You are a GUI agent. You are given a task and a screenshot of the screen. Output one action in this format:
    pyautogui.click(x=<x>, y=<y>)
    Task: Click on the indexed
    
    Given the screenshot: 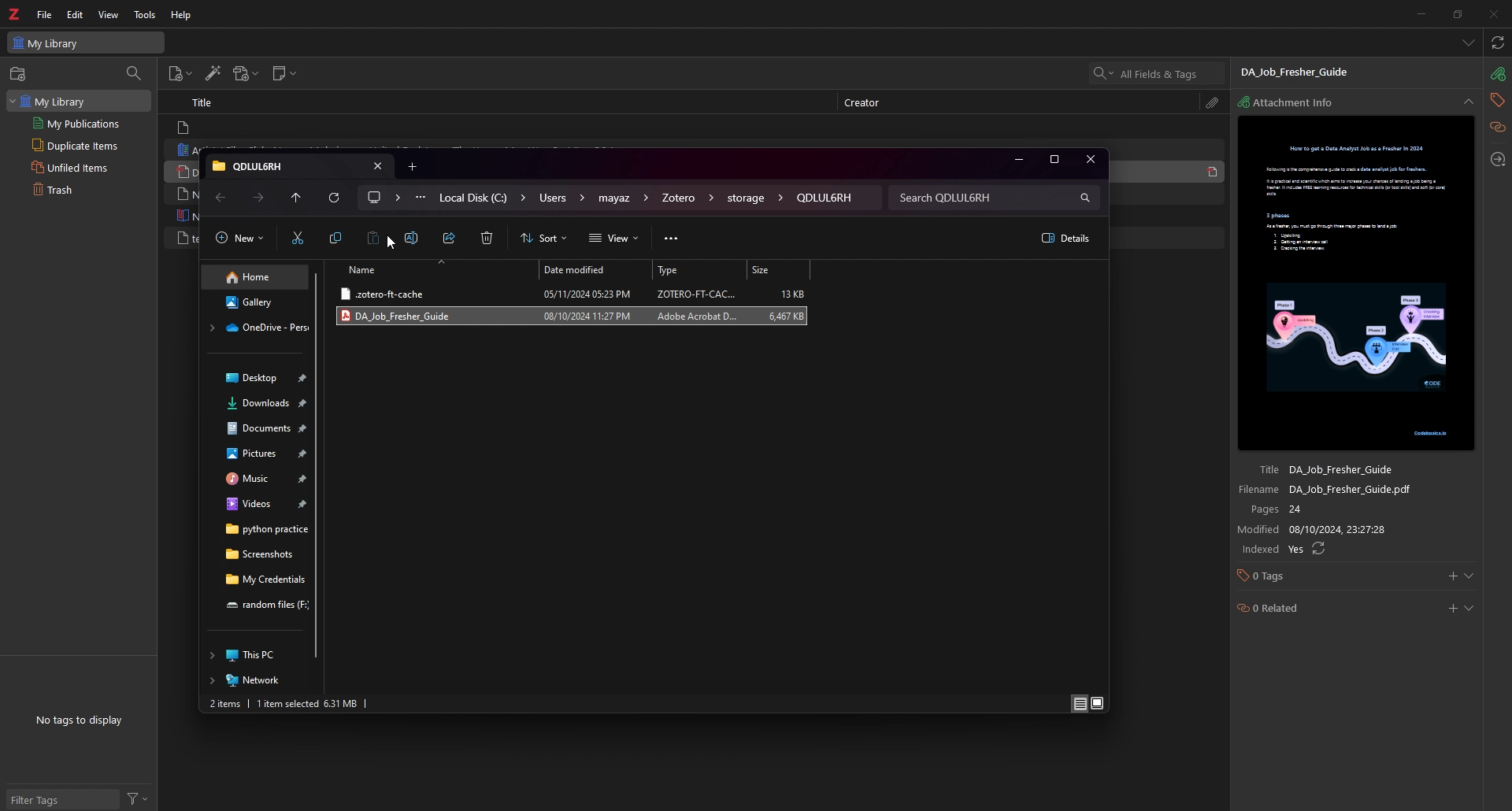 What is the action you would take?
    pyautogui.click(x=1343, y=550)
    